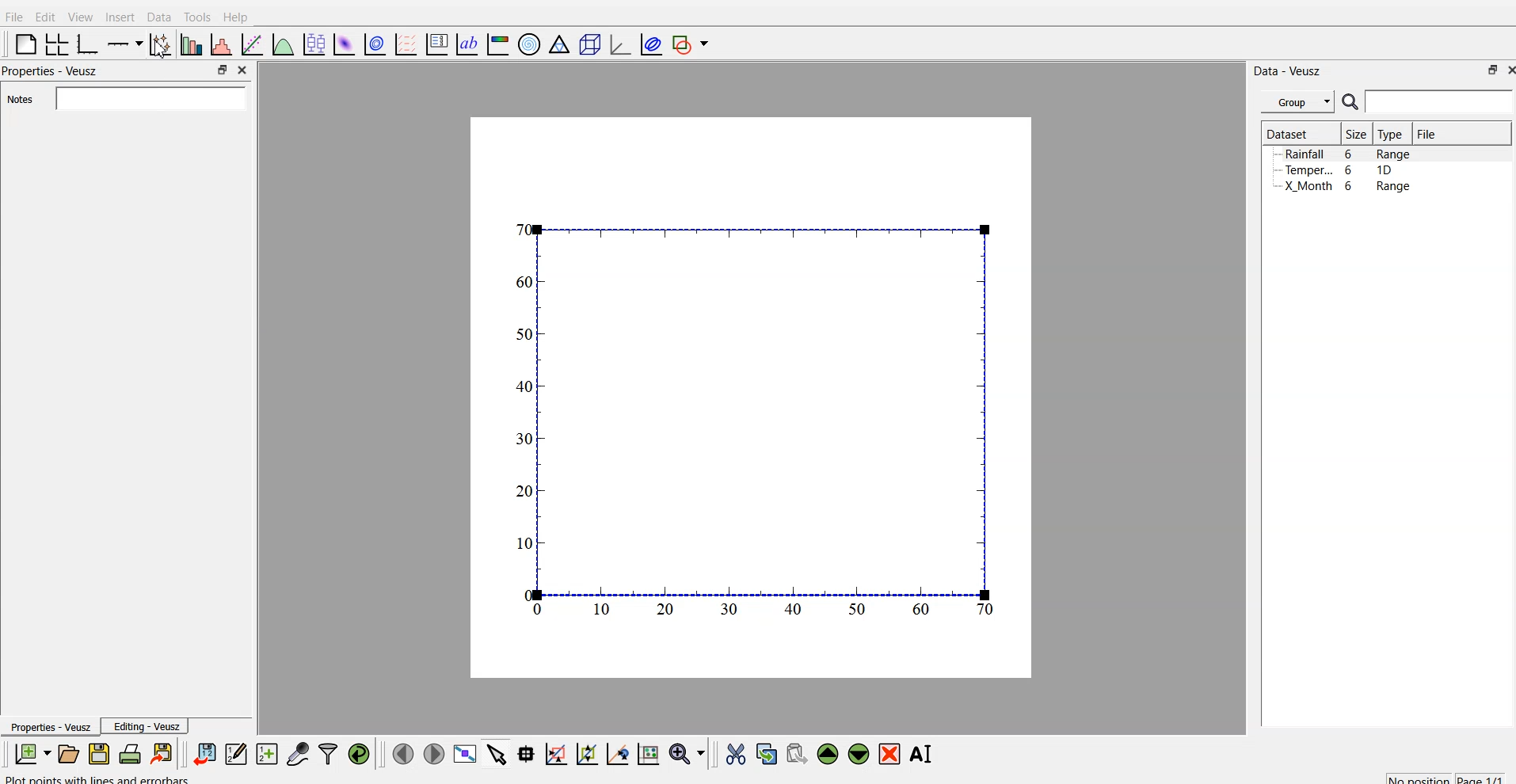 The height and width of the screenshot is (784, 1516). What do you see at coordinates (76, 17) in the screenshot?
I see `View` at bounding box center [76, 17].